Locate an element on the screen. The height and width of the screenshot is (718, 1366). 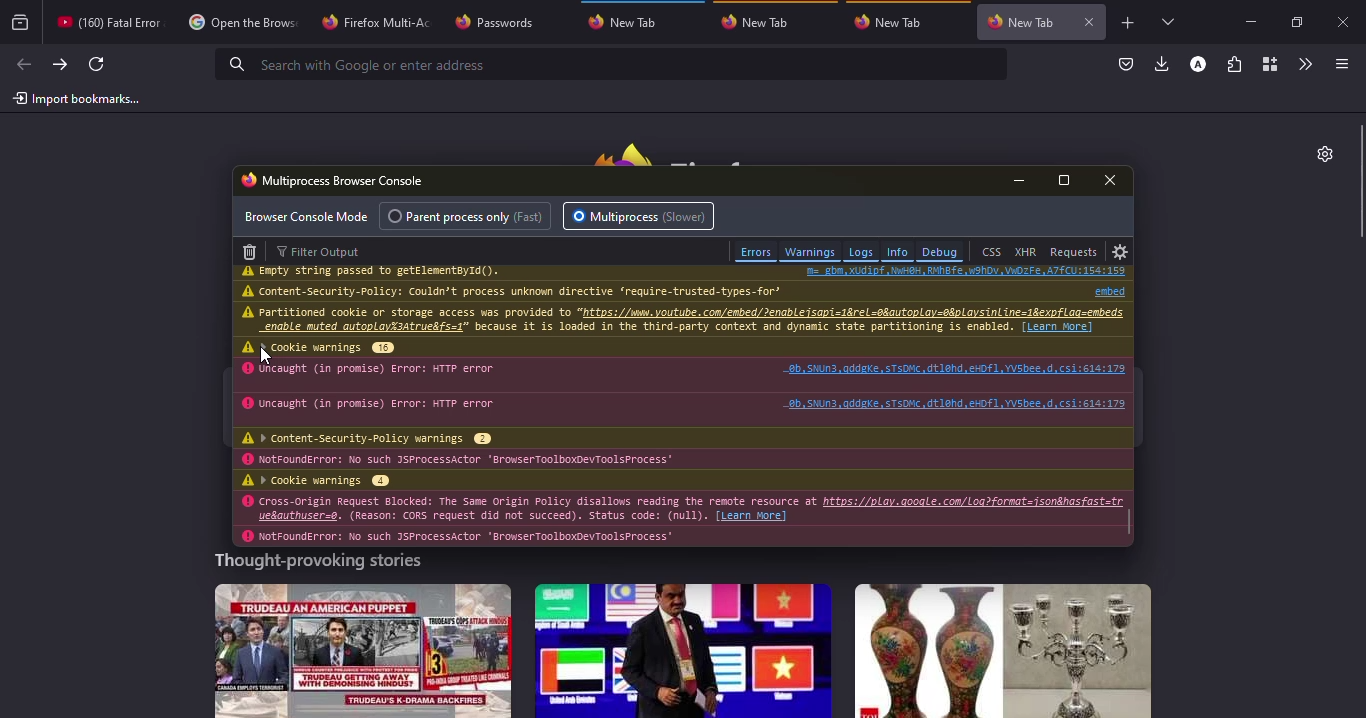
info is located at coordinates (469, 460).